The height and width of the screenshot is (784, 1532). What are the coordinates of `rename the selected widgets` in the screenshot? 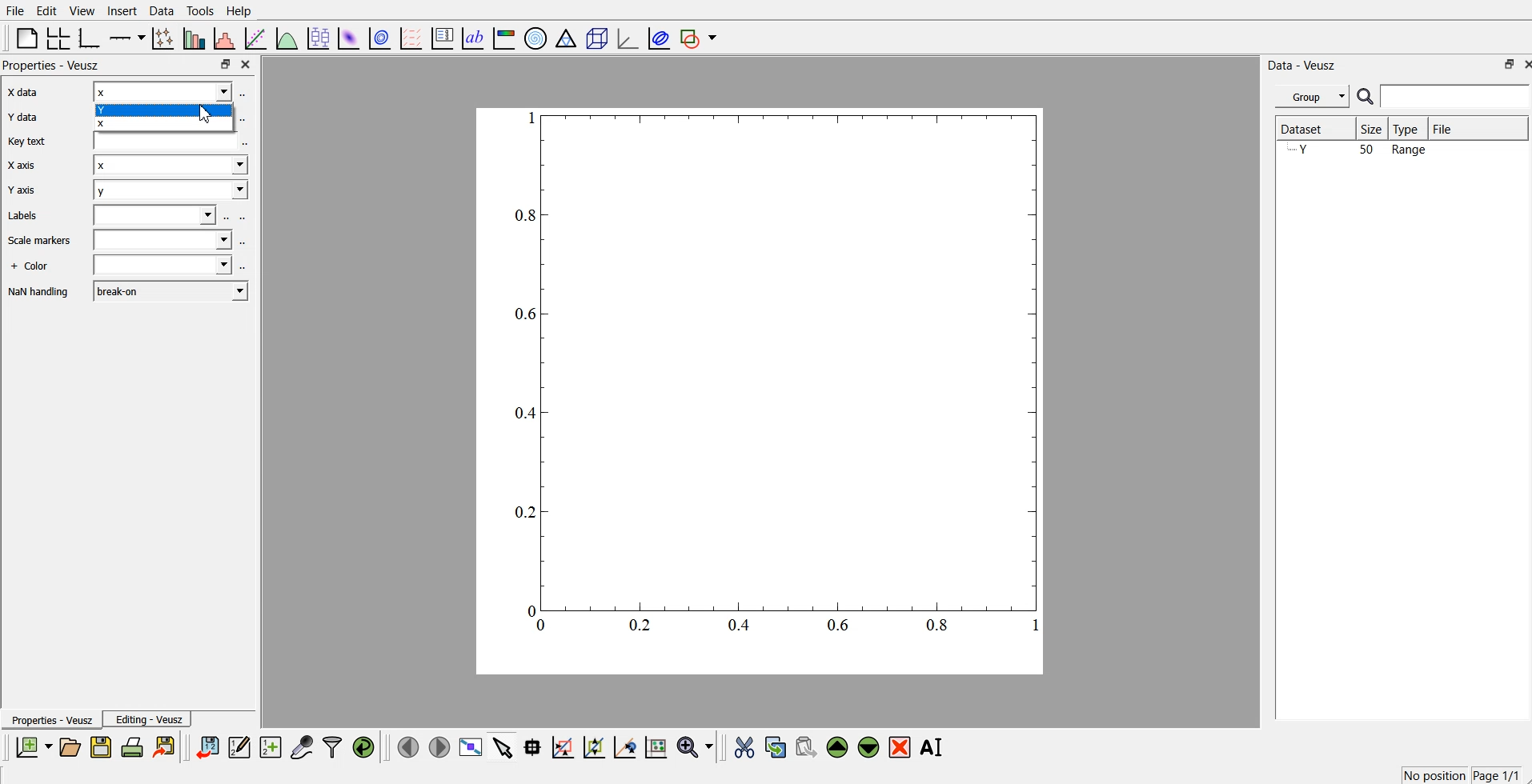 It's located at (932, 747).